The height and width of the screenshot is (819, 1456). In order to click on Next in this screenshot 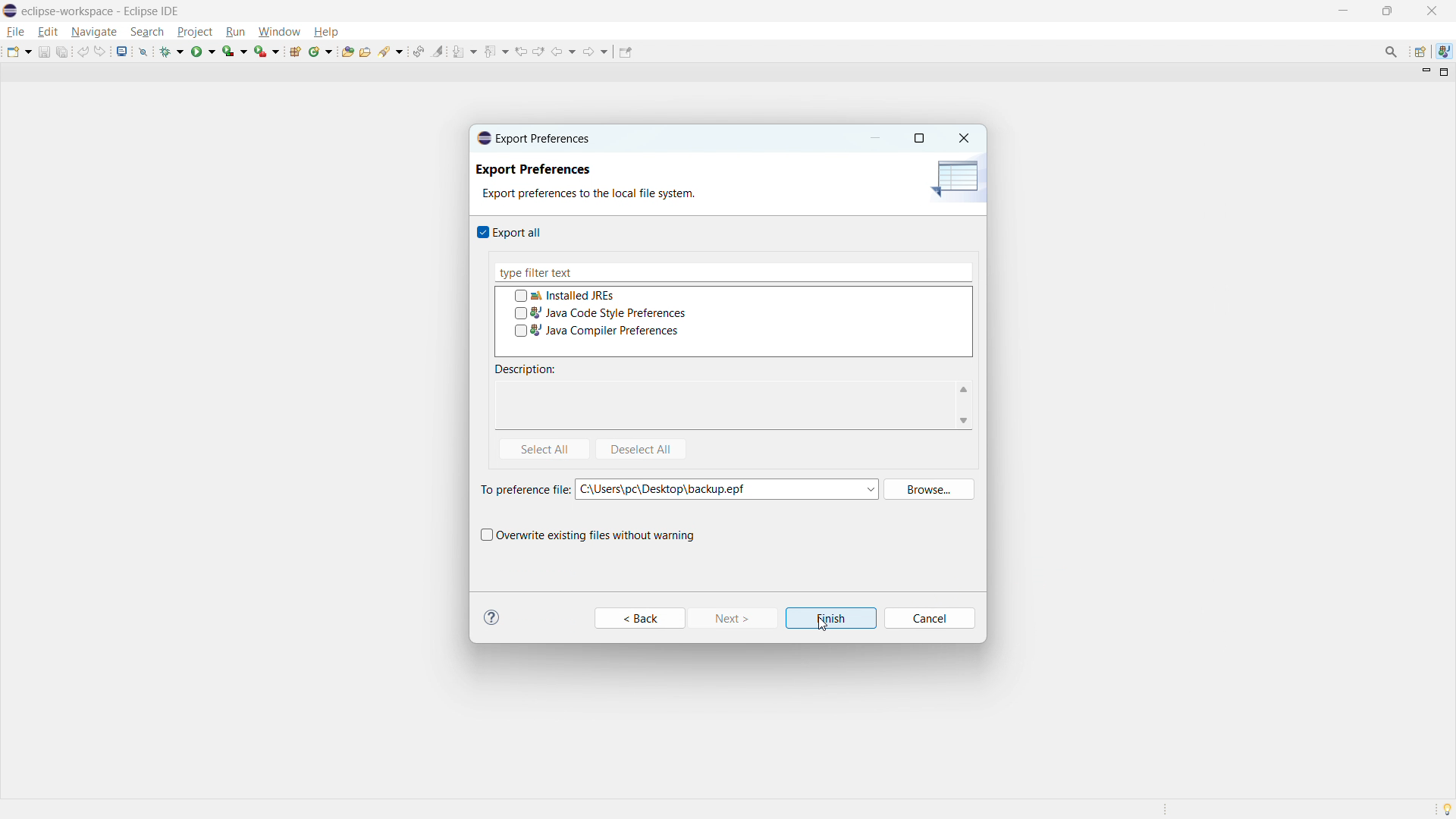, I will do `click(737, 621)`.